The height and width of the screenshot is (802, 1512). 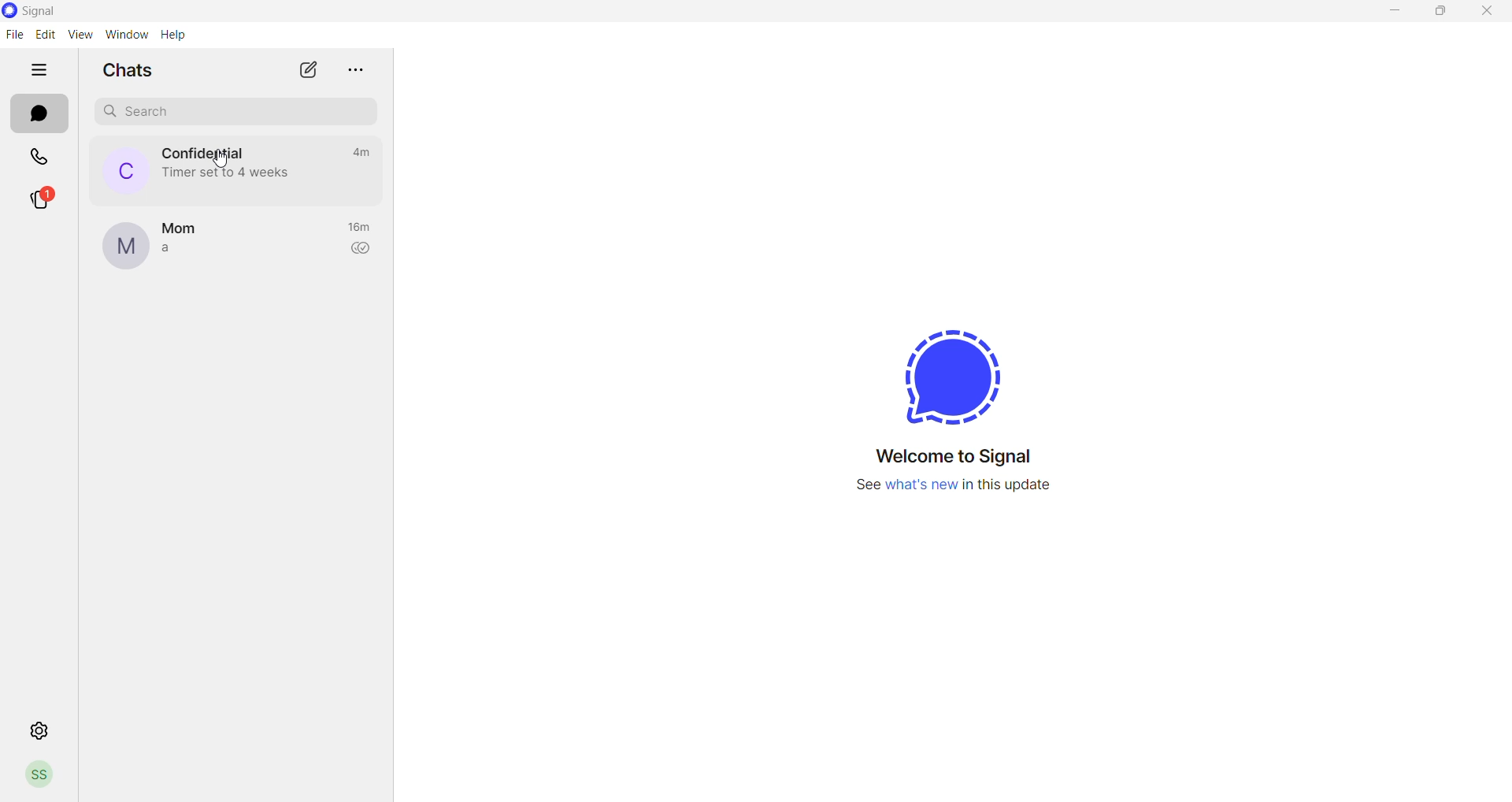 What do you see at coordinates (308, 70) in the screenshot?
I see `new chat` at bounding box center [308, 70].